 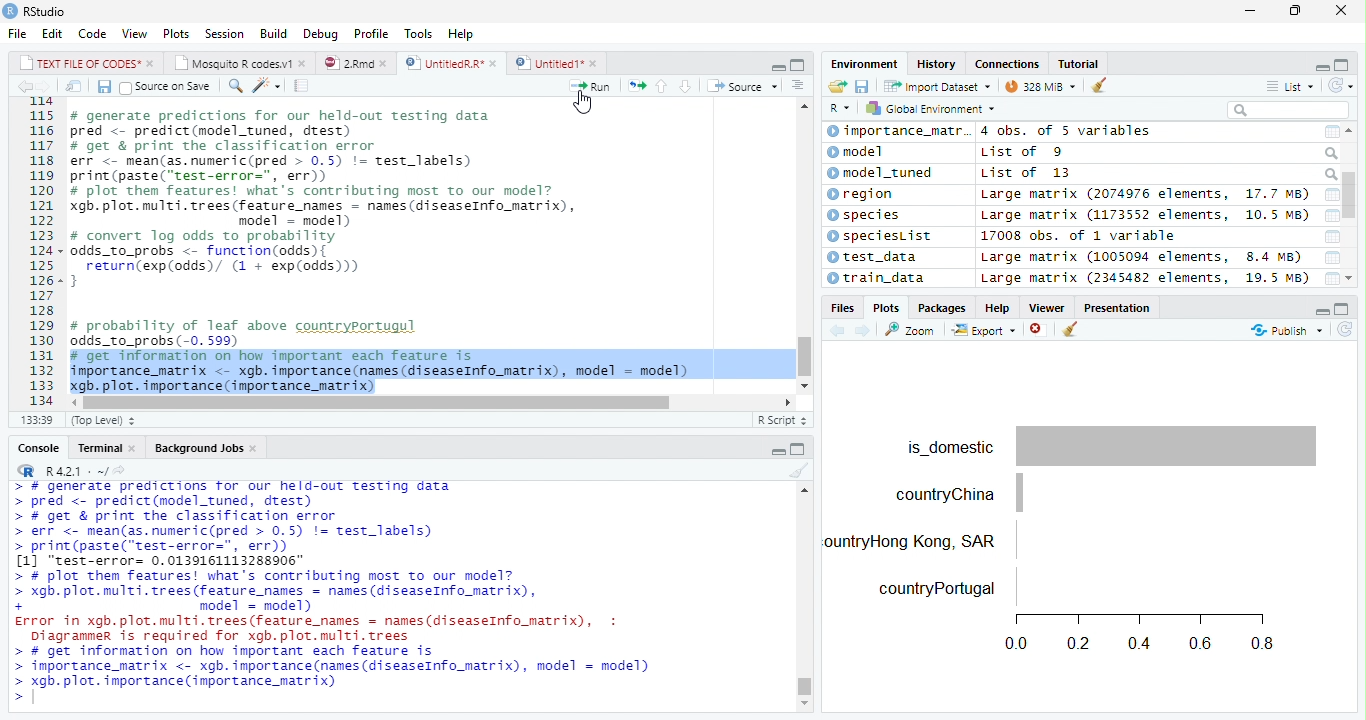 I want to click on Maximize, so click(x=1341, y=307).